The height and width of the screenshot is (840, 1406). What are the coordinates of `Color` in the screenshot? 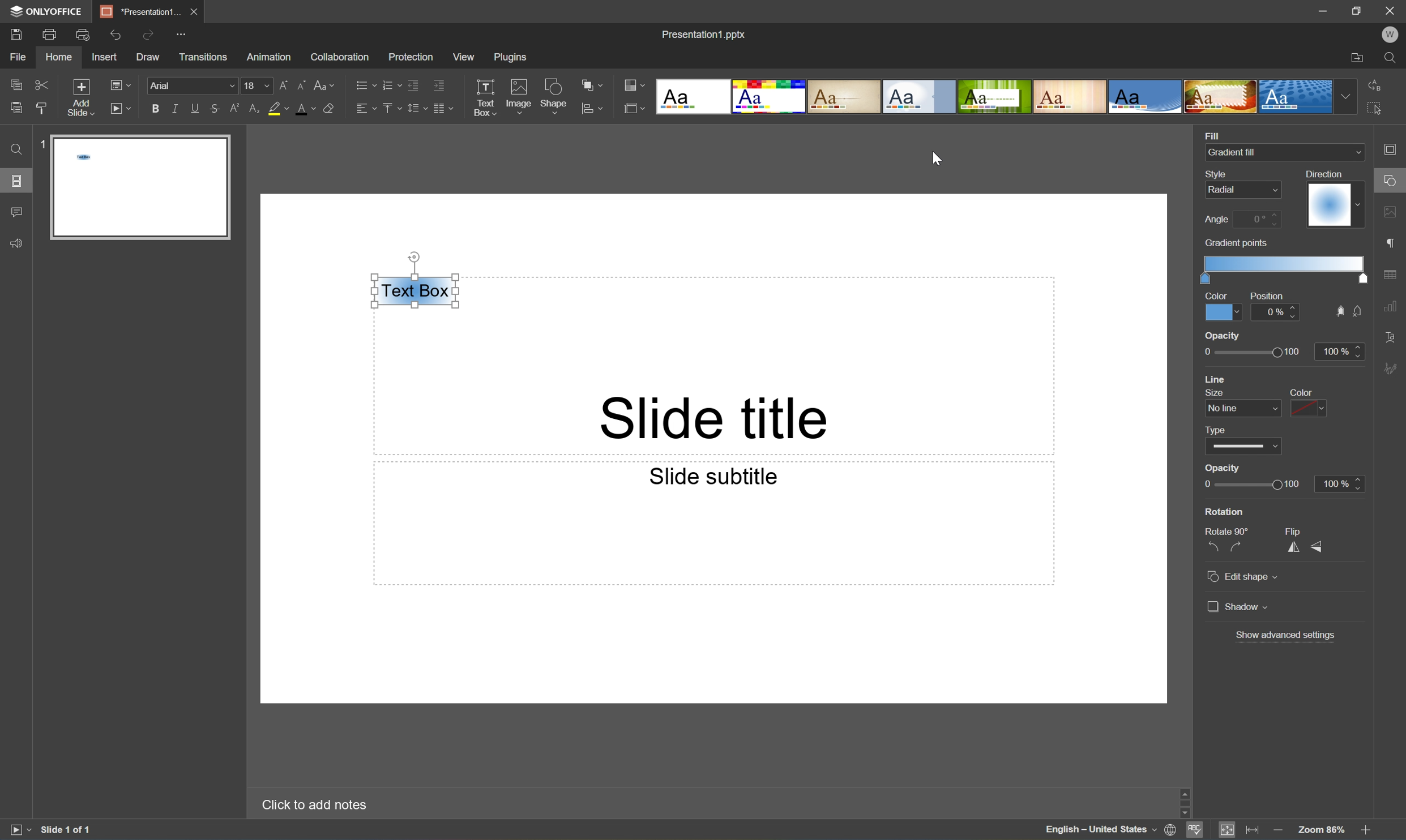 It's located at (1305, 392).